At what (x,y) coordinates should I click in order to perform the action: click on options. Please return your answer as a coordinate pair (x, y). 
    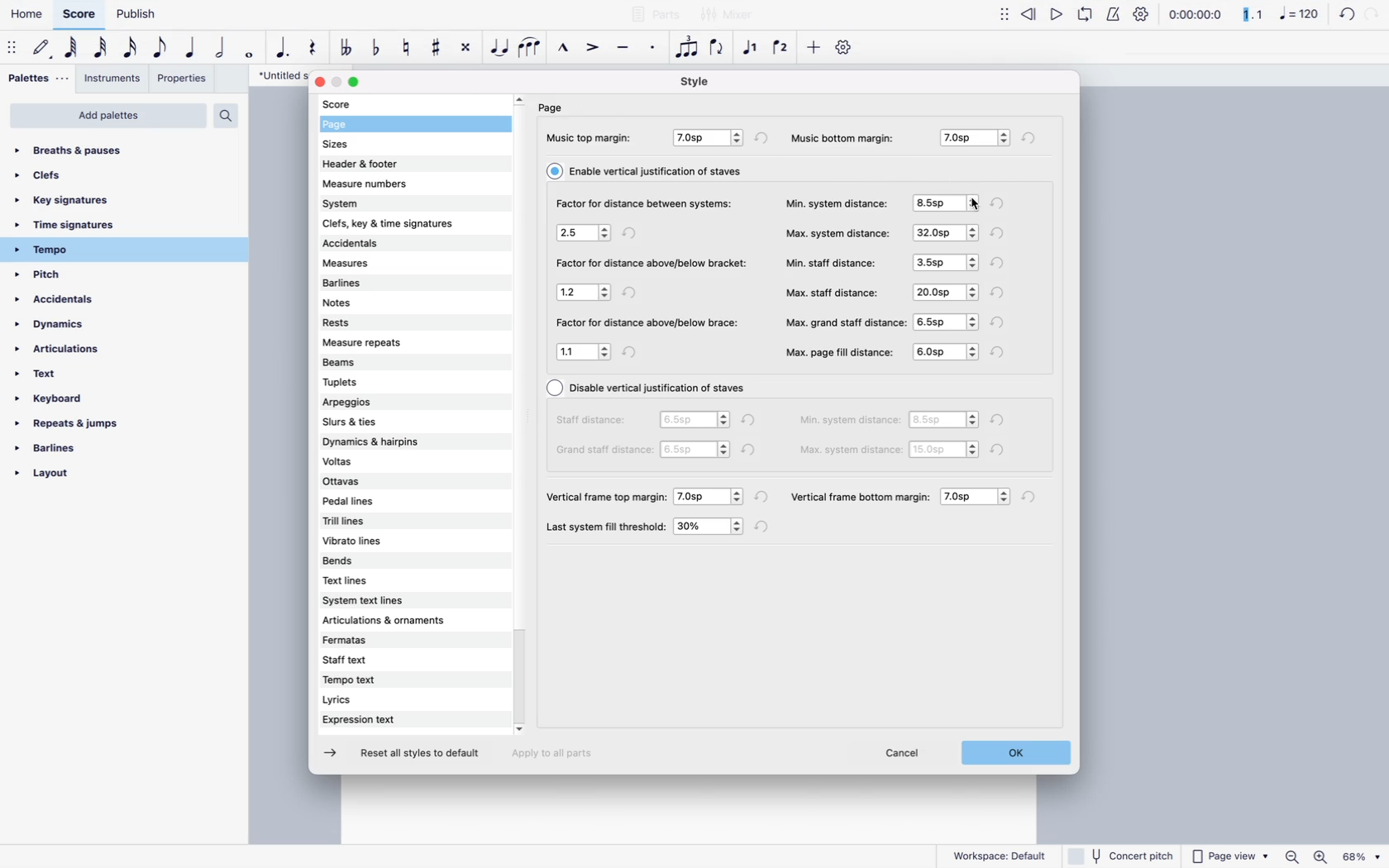
    Looking at the image, I should click on (946, 205).